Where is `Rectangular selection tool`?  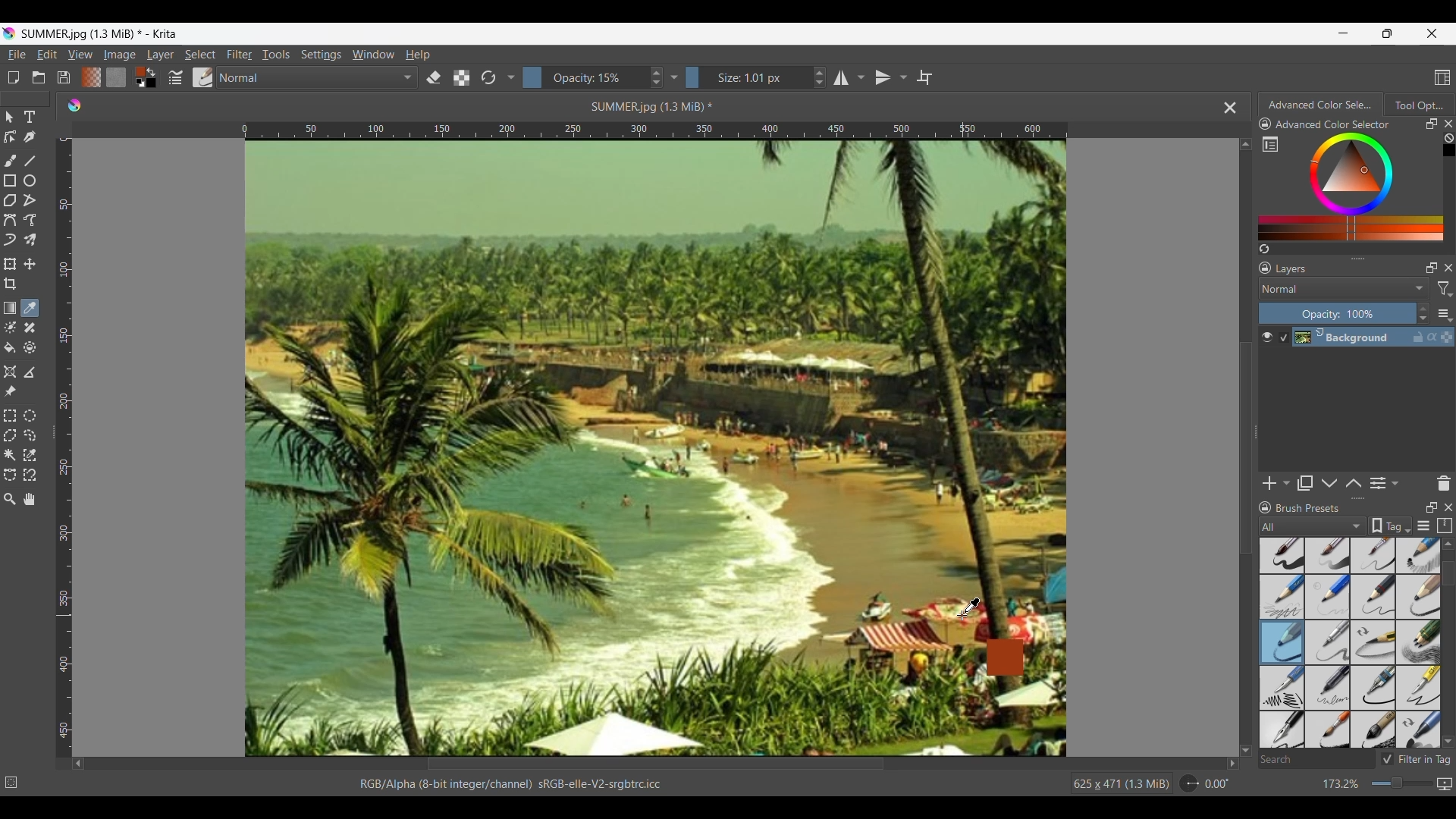
Rectangular selection tool is located at coordinates (10, 416).